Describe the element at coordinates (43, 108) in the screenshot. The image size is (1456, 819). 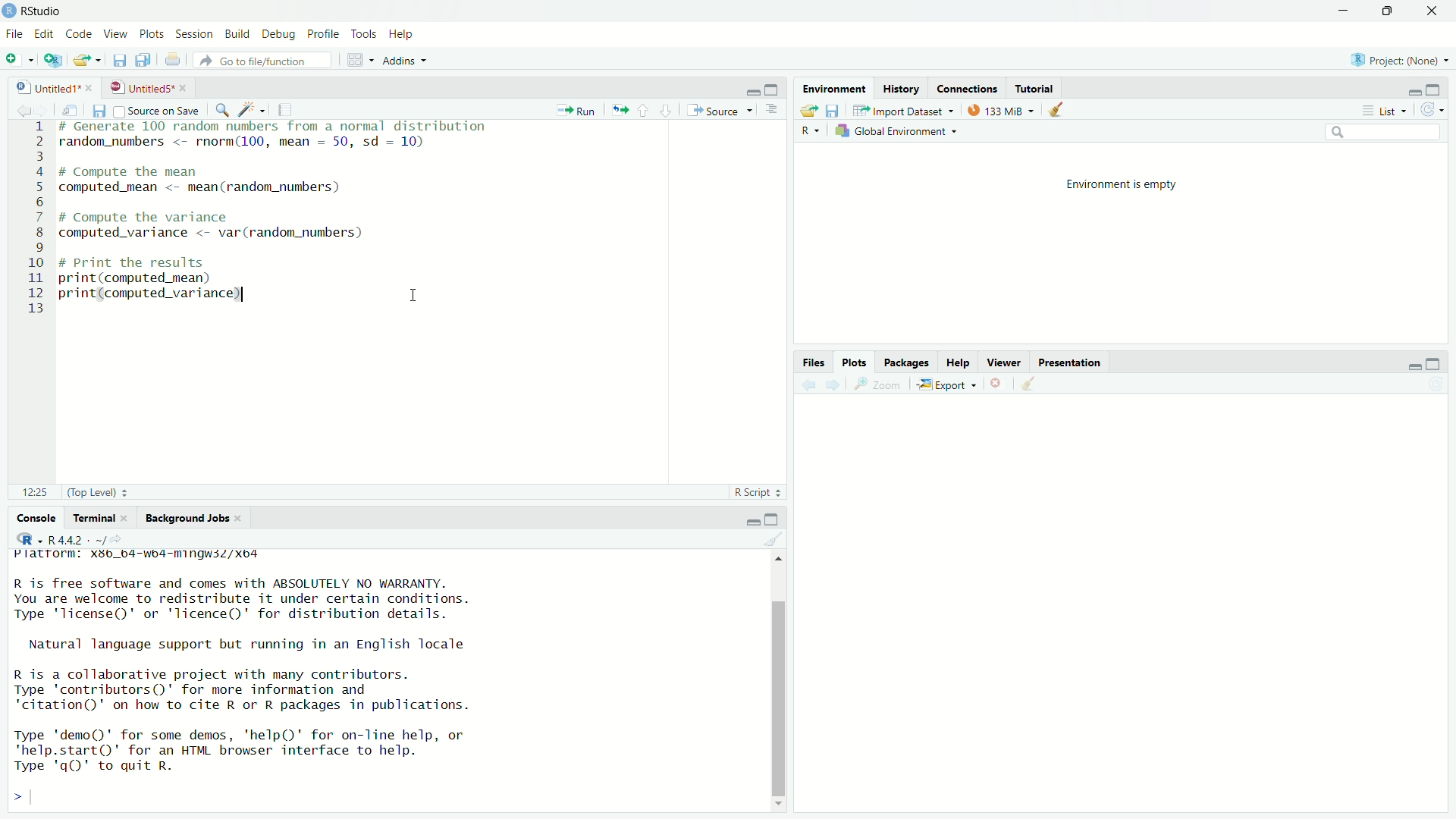
I see `go forward to the next source location` at that location.